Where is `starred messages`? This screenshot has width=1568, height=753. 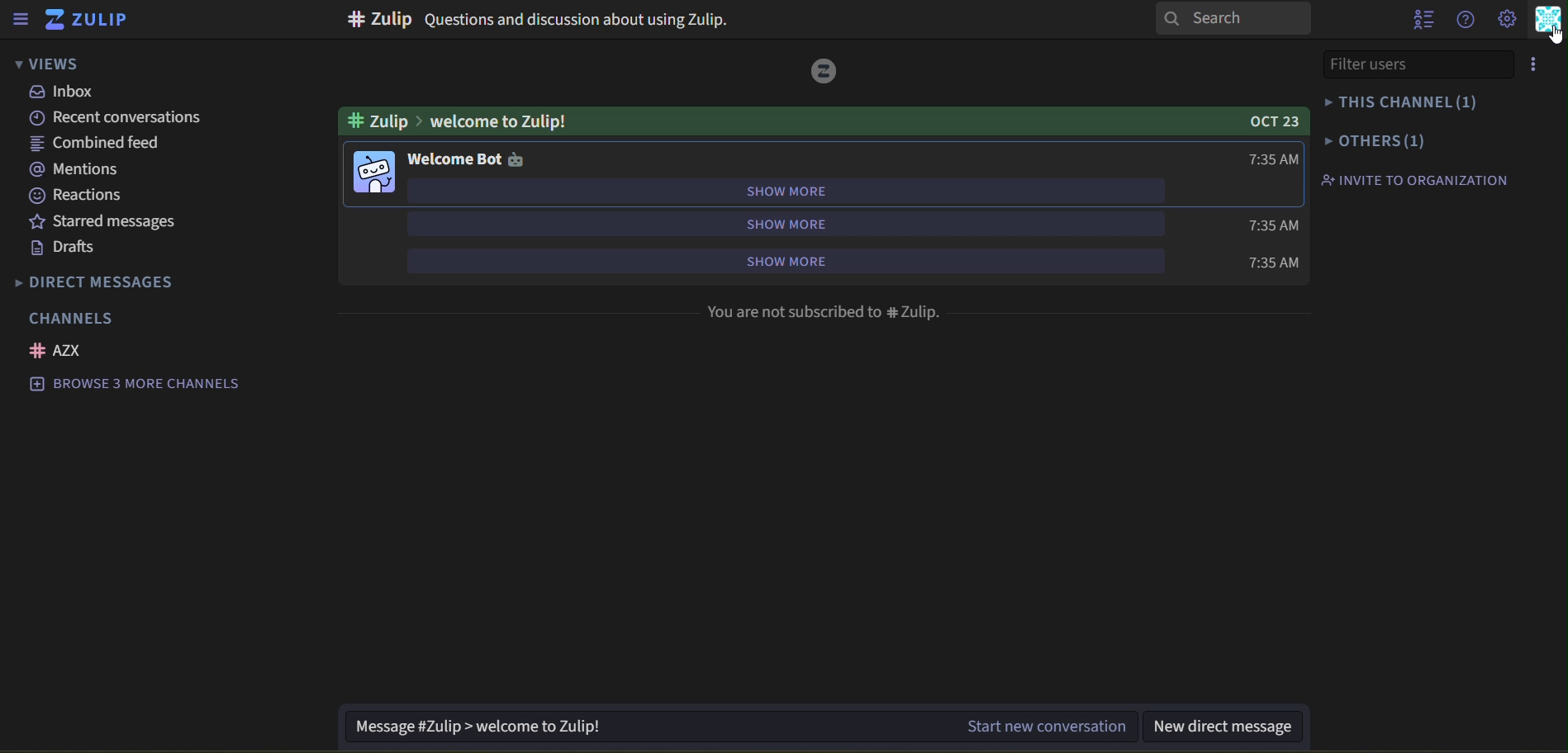
starred messages is located at coordinates (127, 223).